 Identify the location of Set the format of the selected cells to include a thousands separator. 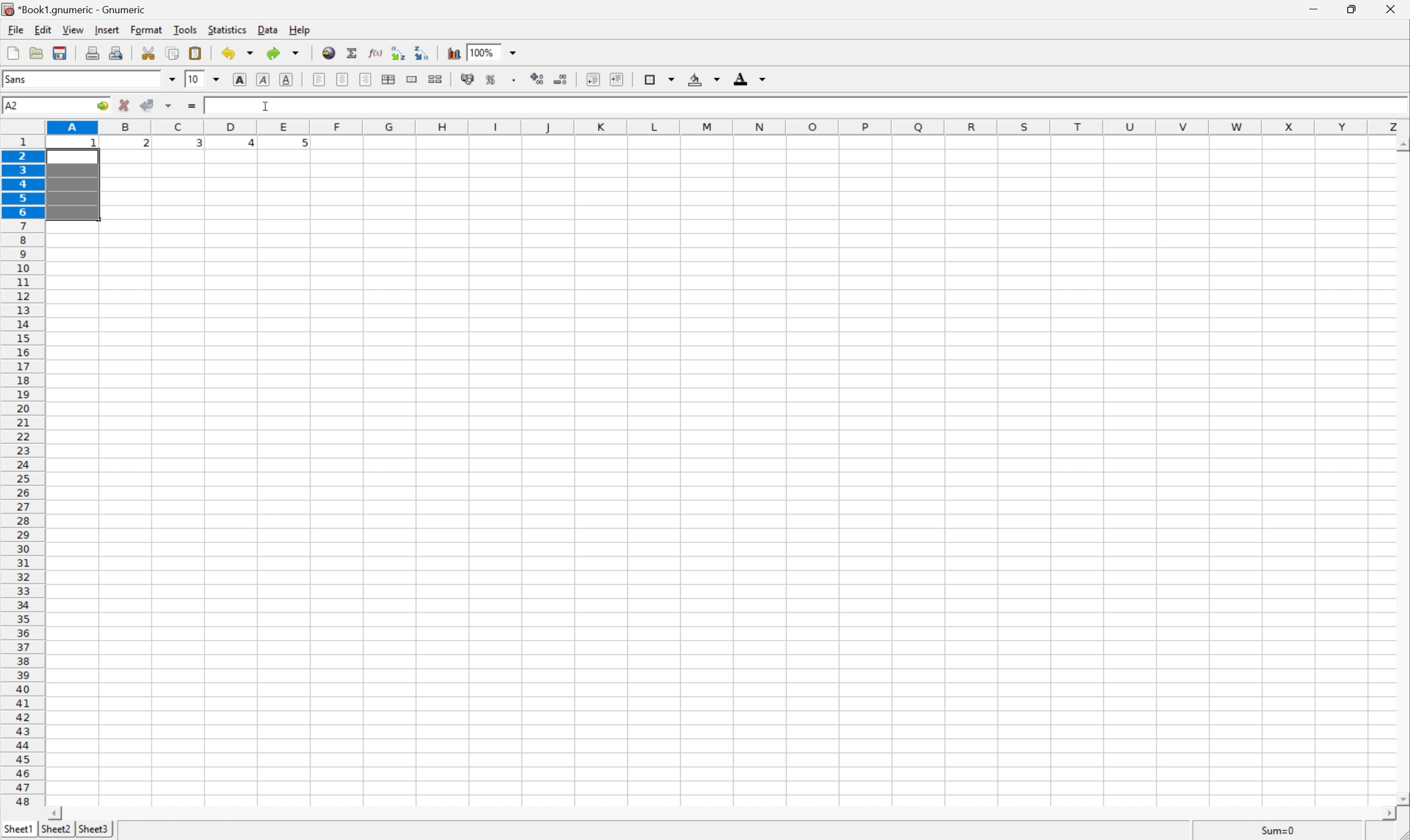
(514, 80).